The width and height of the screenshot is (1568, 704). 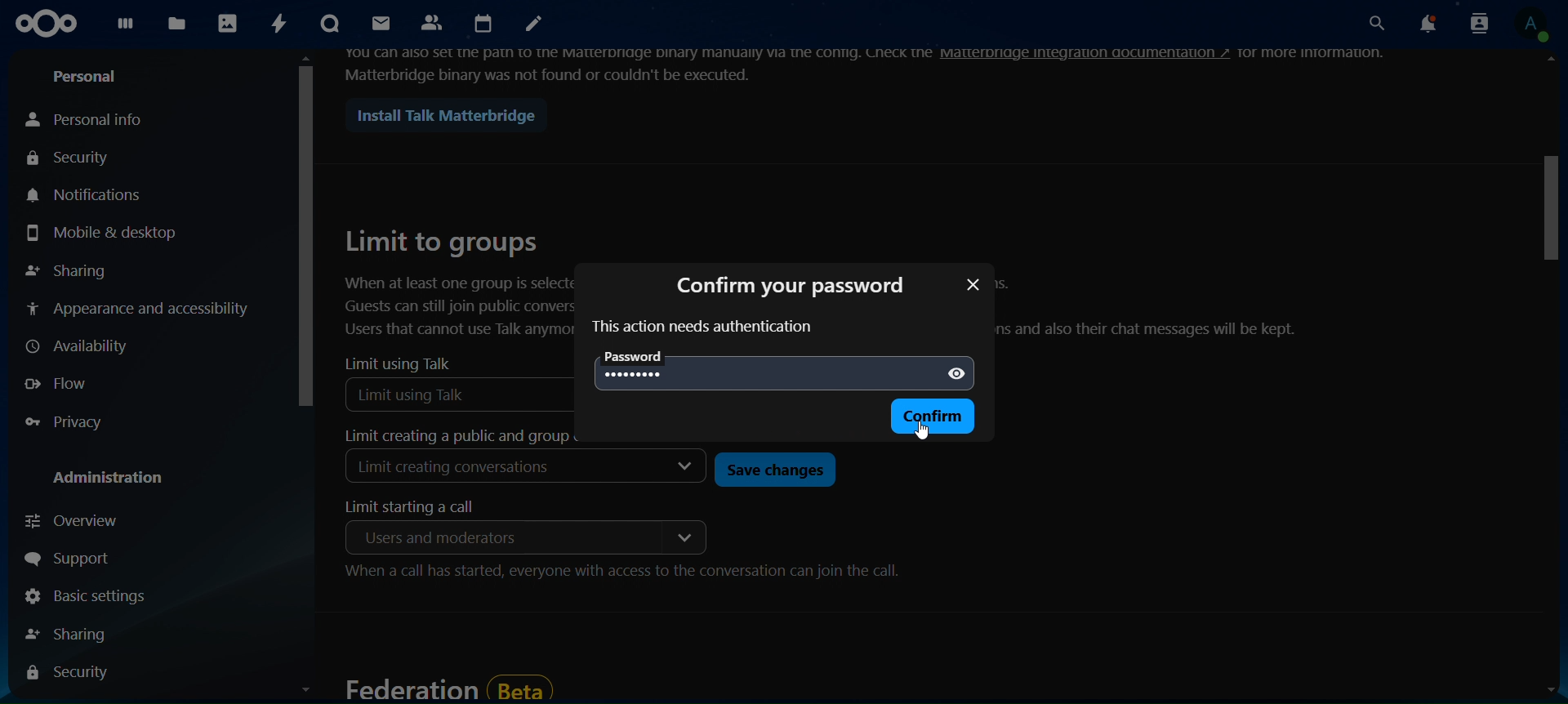 What do you see at coordinates (682, 468) in the screenshot?
I see `dropdown` at bounding box center [682, 468].